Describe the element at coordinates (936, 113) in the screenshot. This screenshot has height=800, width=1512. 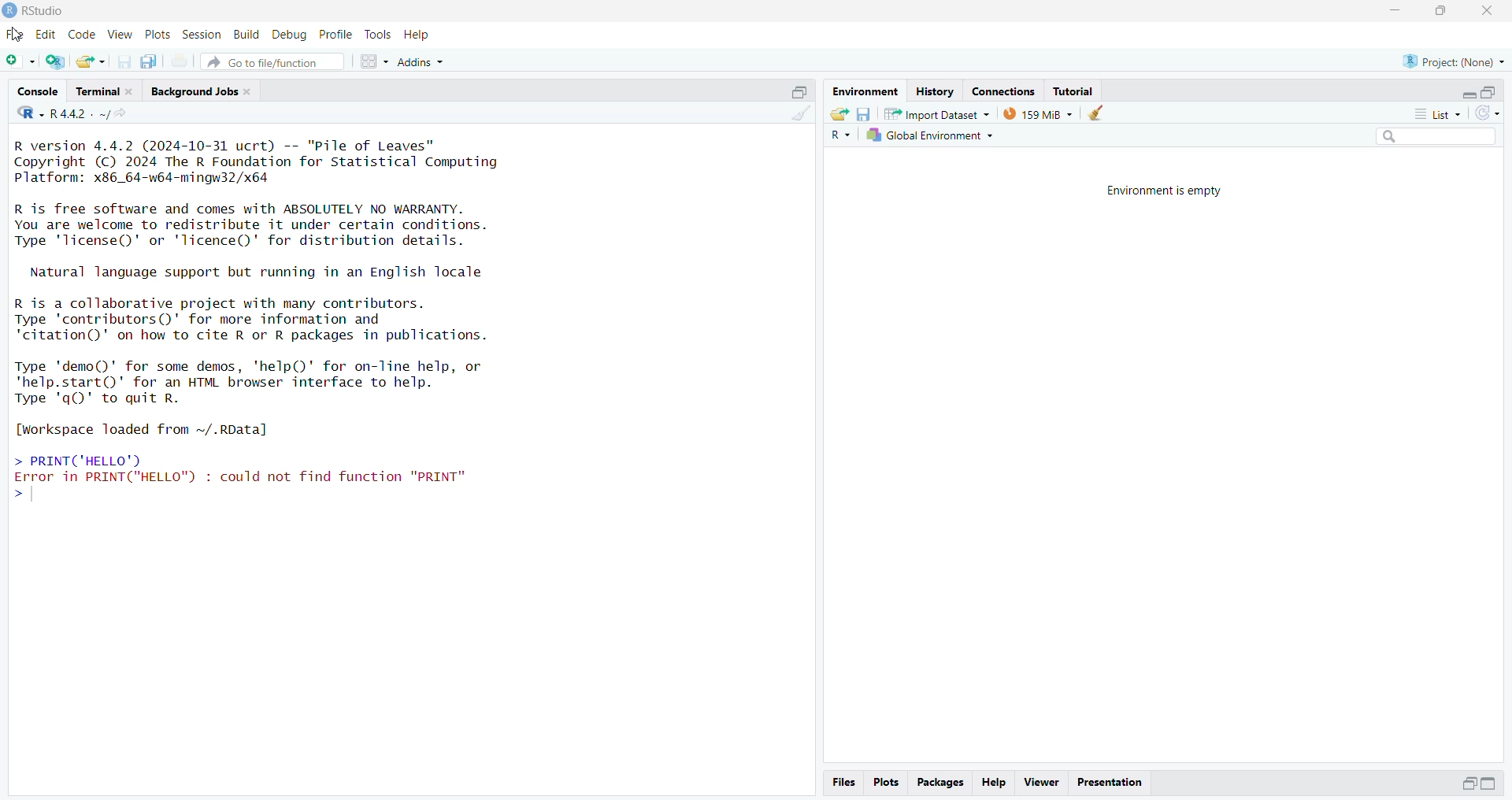
I see `Import dataset` at that location.